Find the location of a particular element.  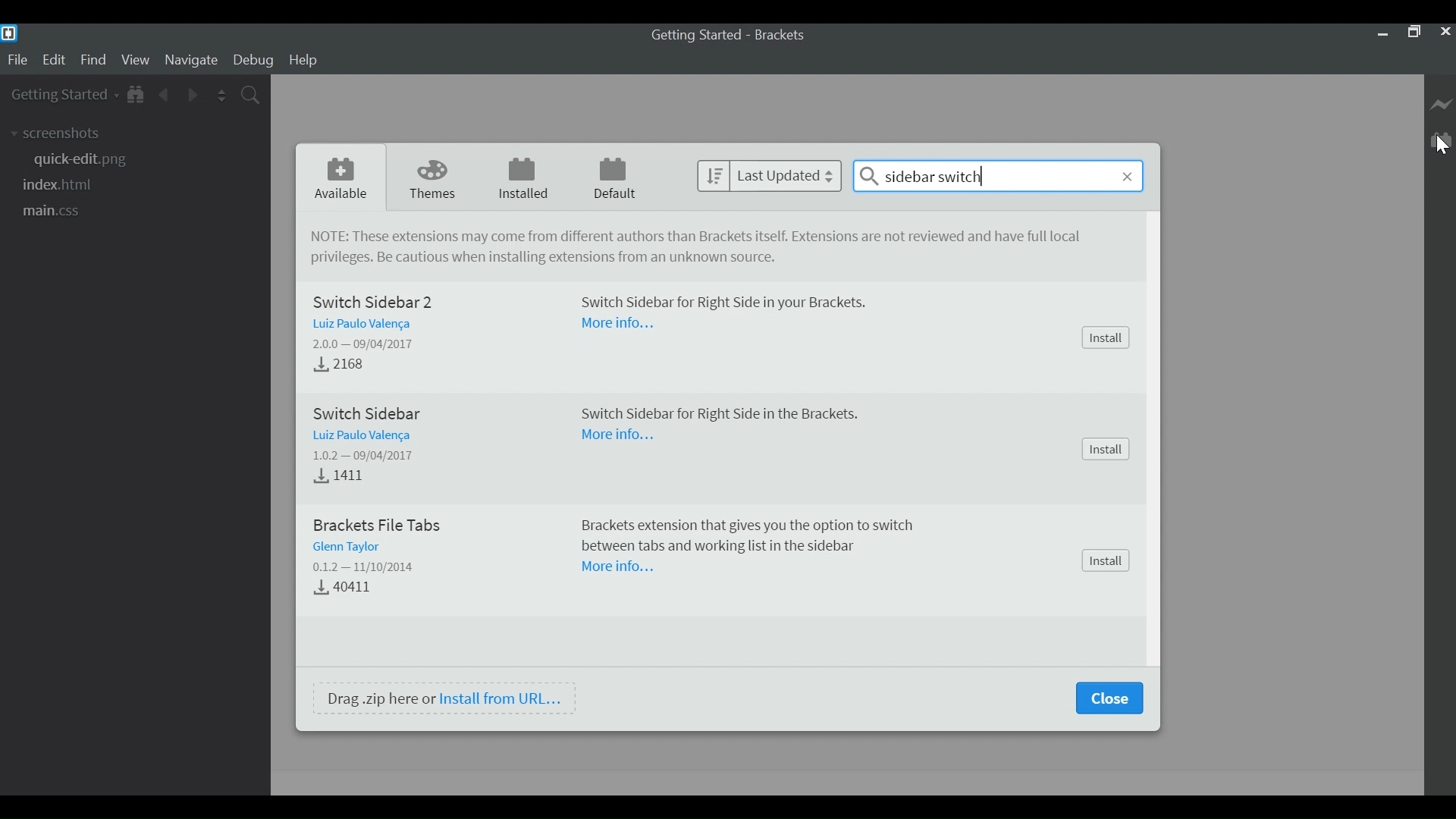

quick-edit.png is located at coordinates (87, 159).